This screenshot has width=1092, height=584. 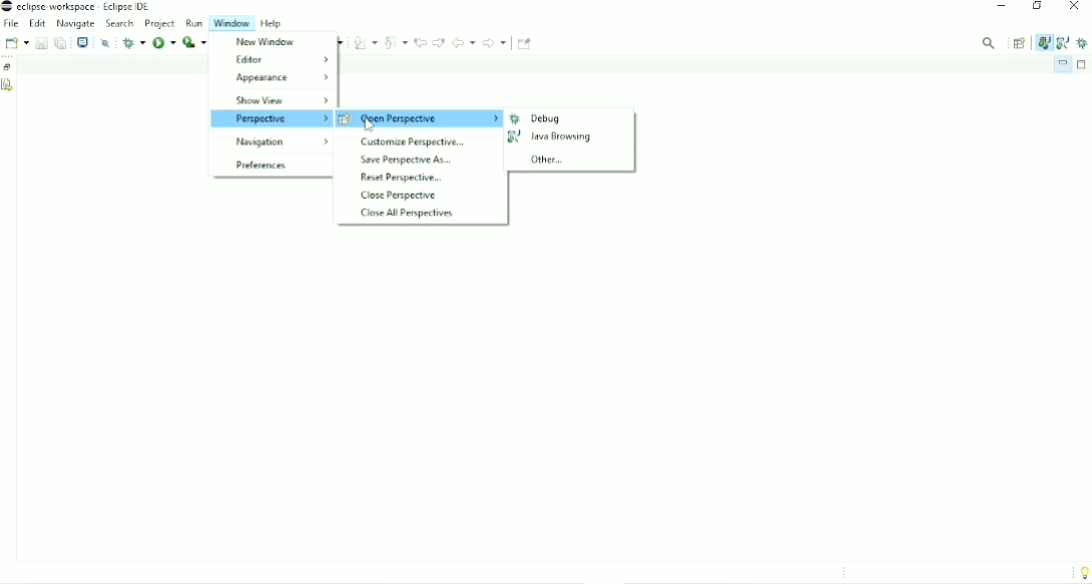 What do you see at coordinates (1020, 43) in the screenshot?
I see `Open Perspective` at bounding box center [1020, 43].